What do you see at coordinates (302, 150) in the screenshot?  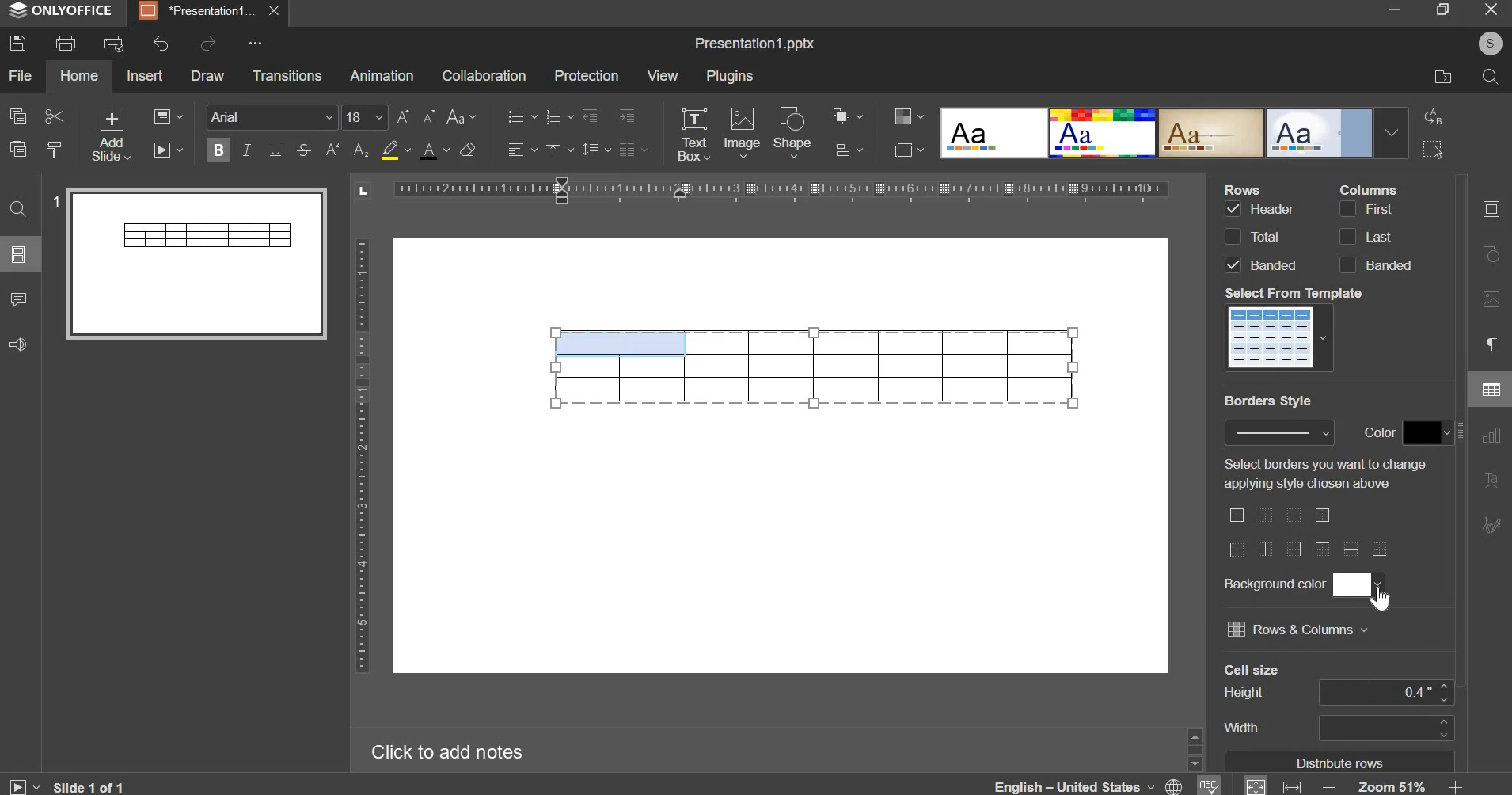 I see `strikethrough` at bounding box center [302, 150].